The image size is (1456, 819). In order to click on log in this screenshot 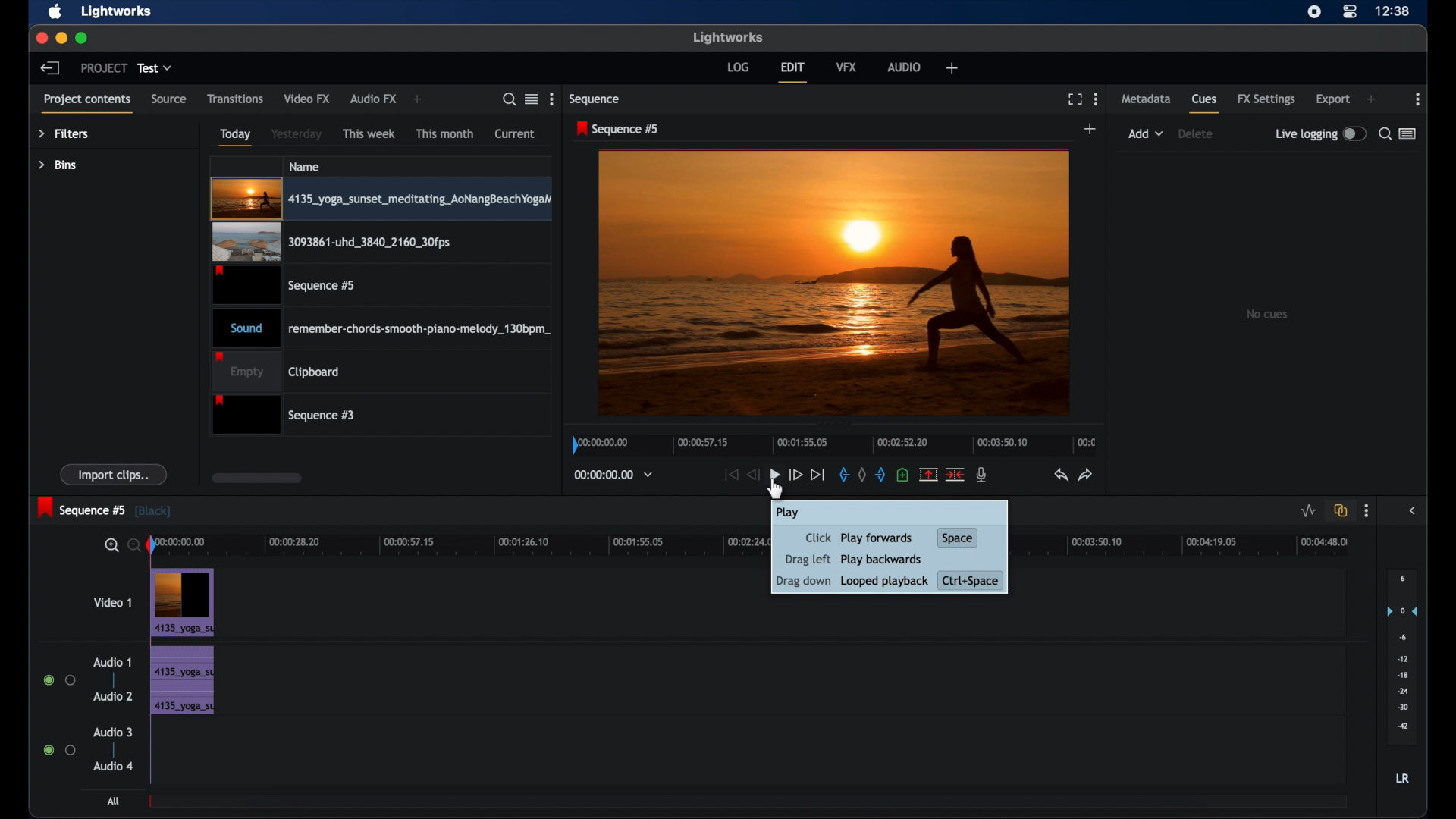, I will do `click(738, 67)`.